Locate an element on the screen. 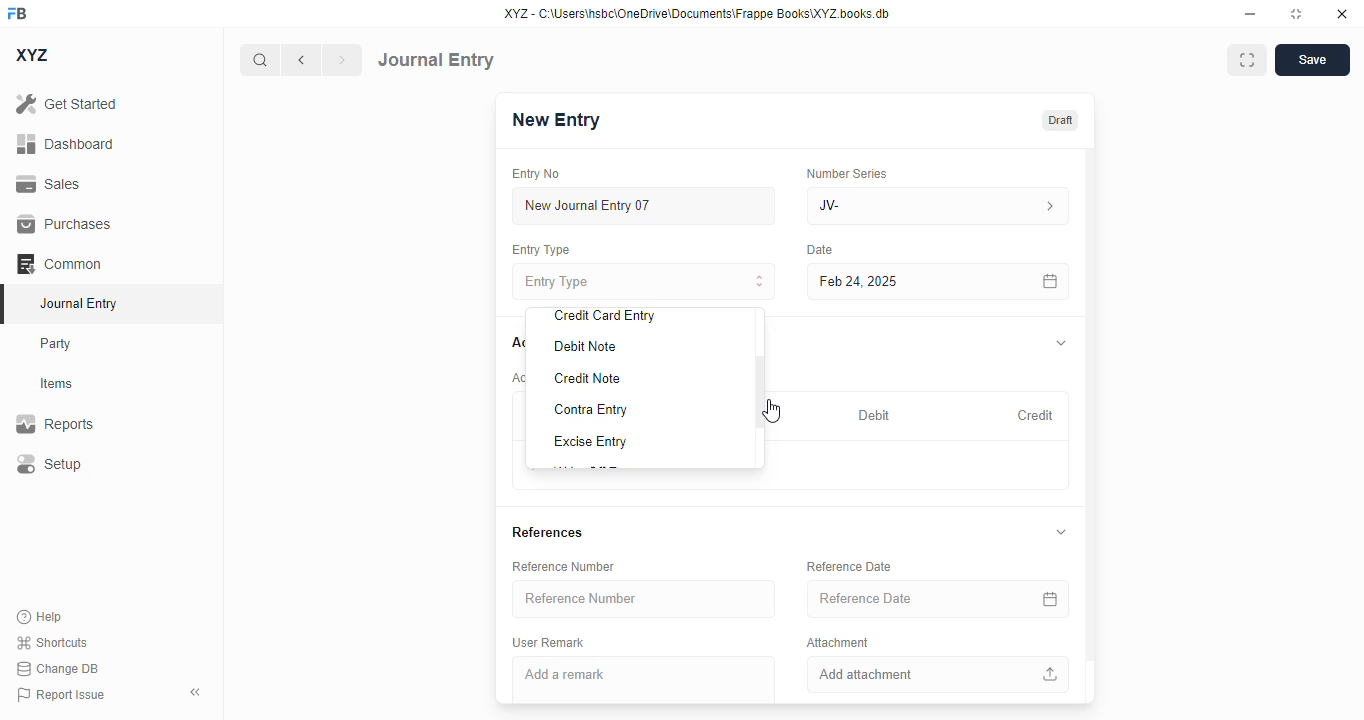  items is located at coordinates (57, 384).